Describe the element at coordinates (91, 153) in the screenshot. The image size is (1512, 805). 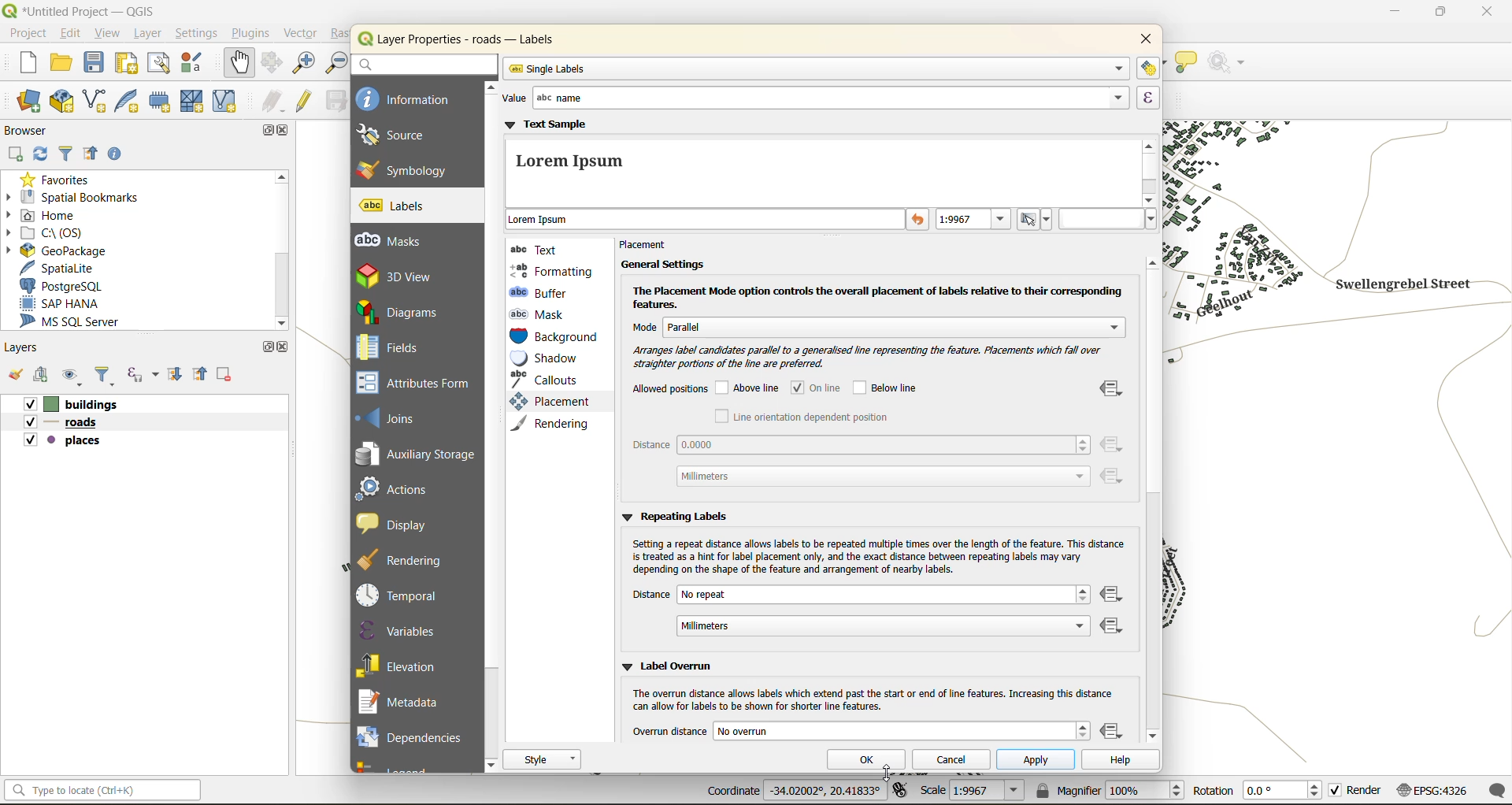
I see `collapse all` at that location.